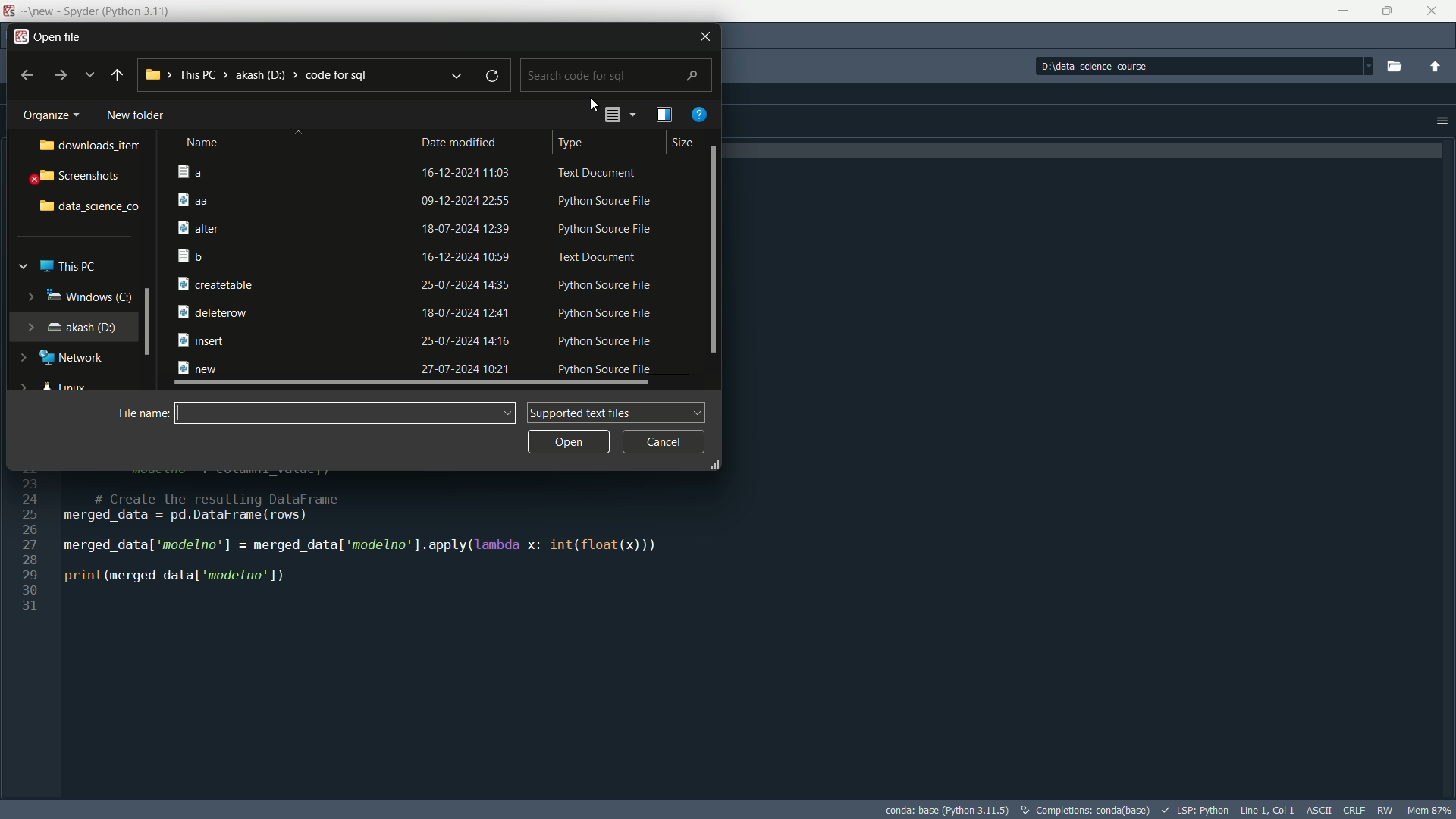 The width and height of the screenshot is (1456, 819). I want to click on network, so click(77, 358).